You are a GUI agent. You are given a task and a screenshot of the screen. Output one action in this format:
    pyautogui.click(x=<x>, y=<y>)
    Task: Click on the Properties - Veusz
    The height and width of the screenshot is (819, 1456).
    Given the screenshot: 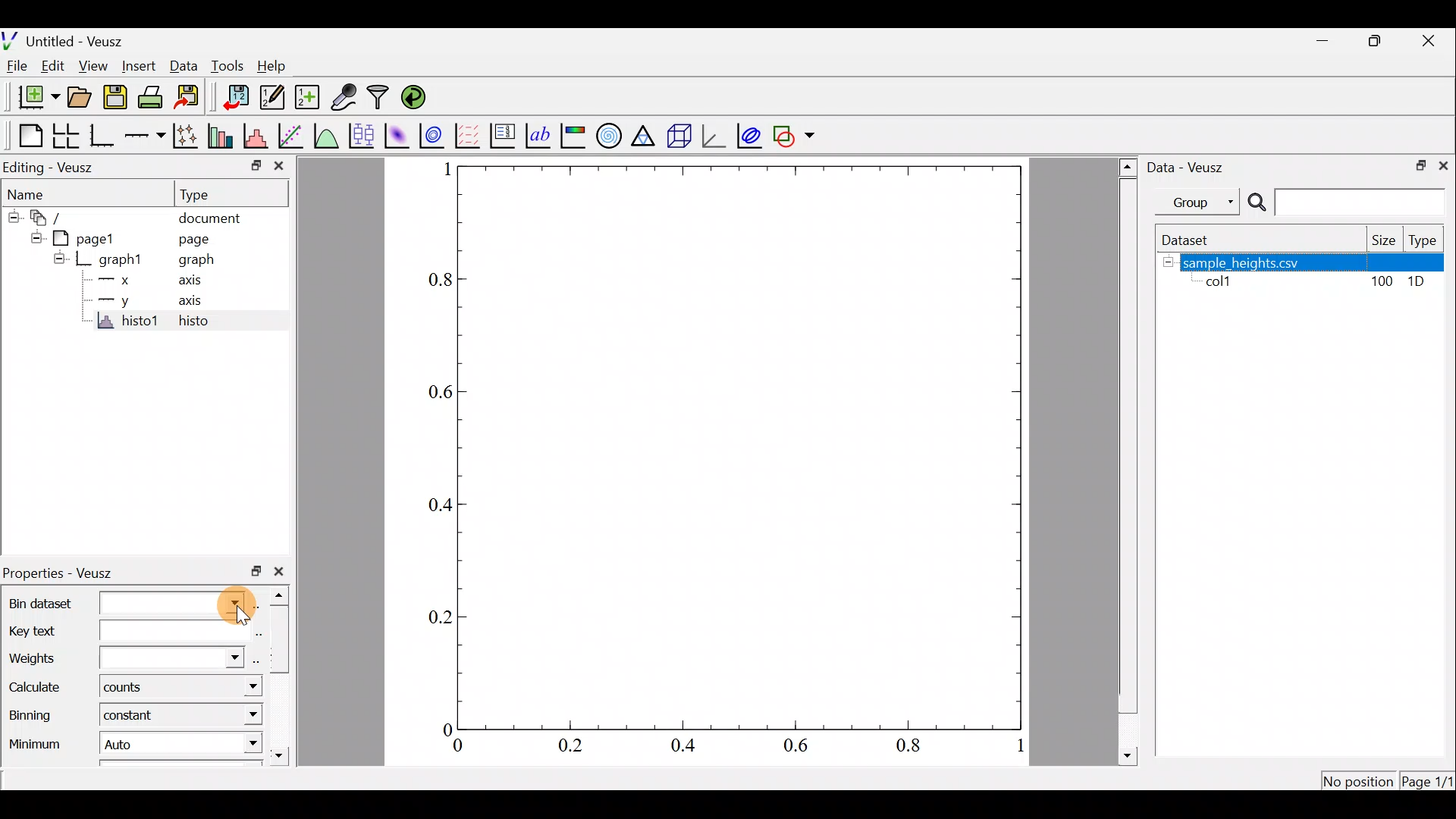 What is the action you would take?
    pyautogui.click(x=67, y=571)
    